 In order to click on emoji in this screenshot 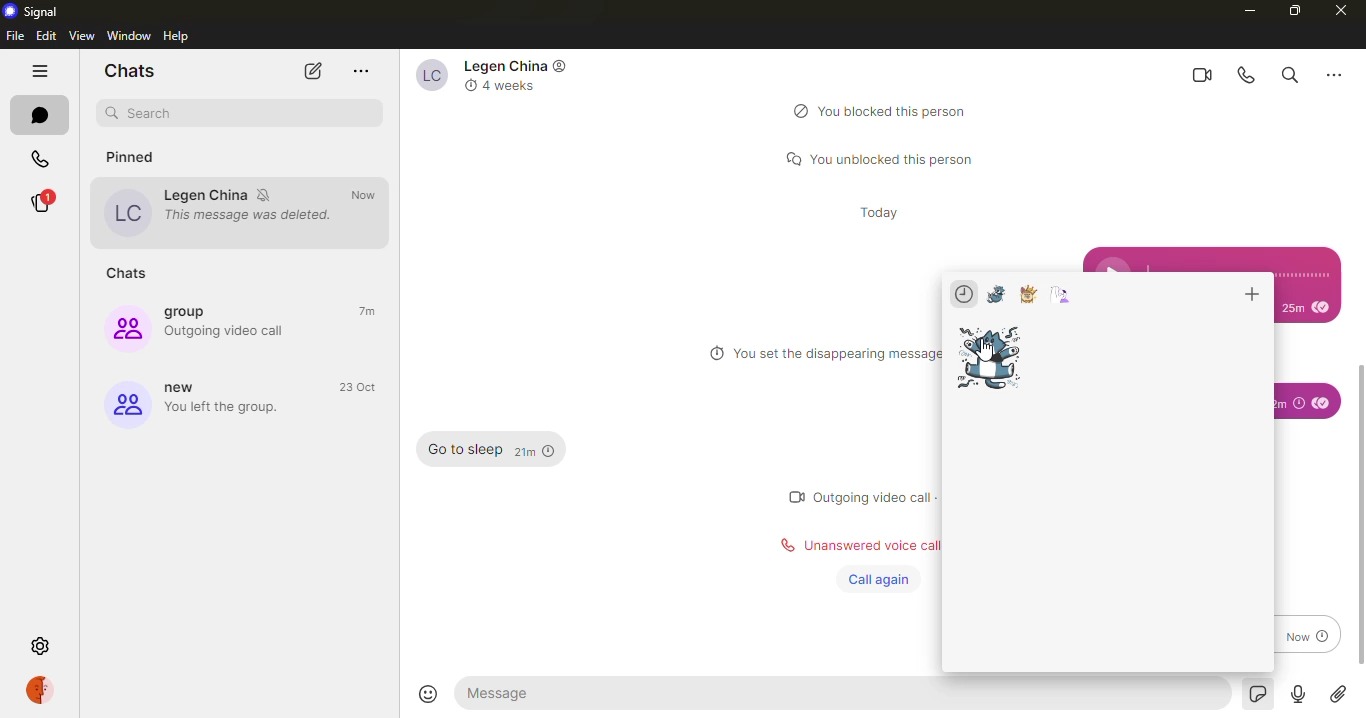, I will do `click(427, 694)`.